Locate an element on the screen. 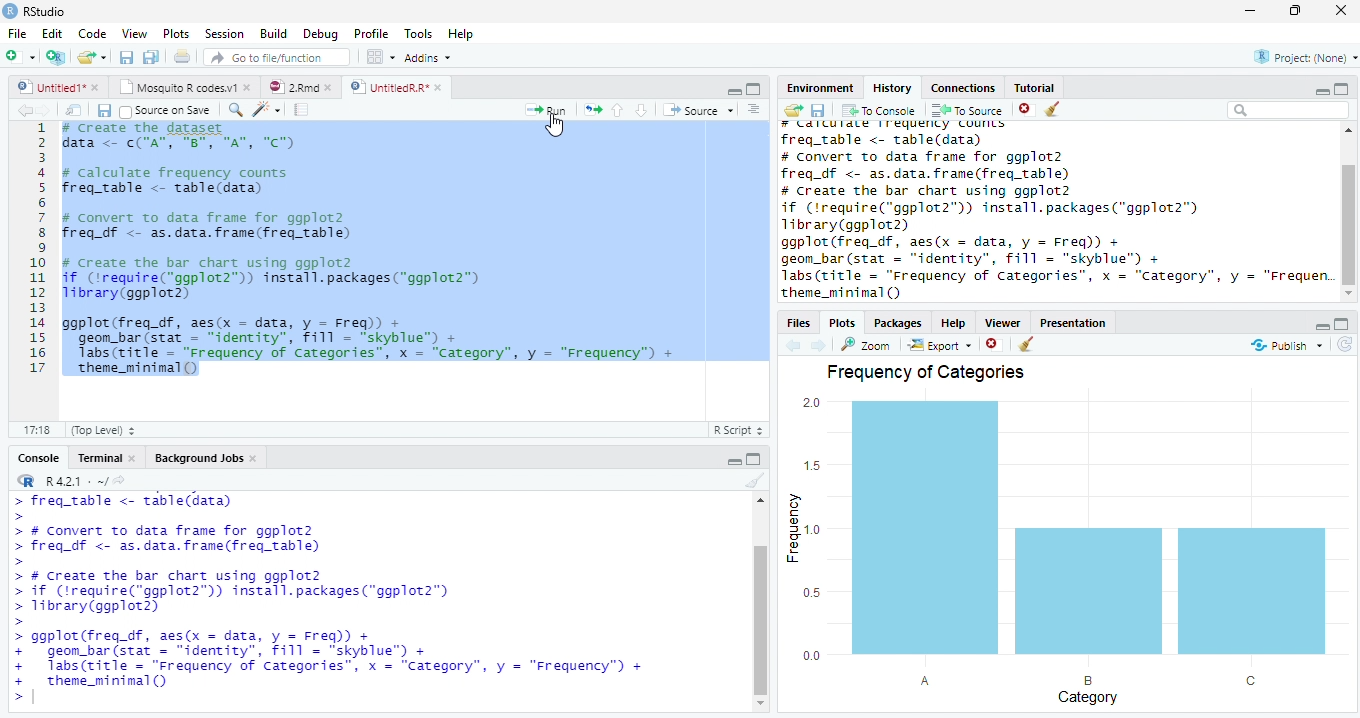  Code is located at coordinates (96, 34).